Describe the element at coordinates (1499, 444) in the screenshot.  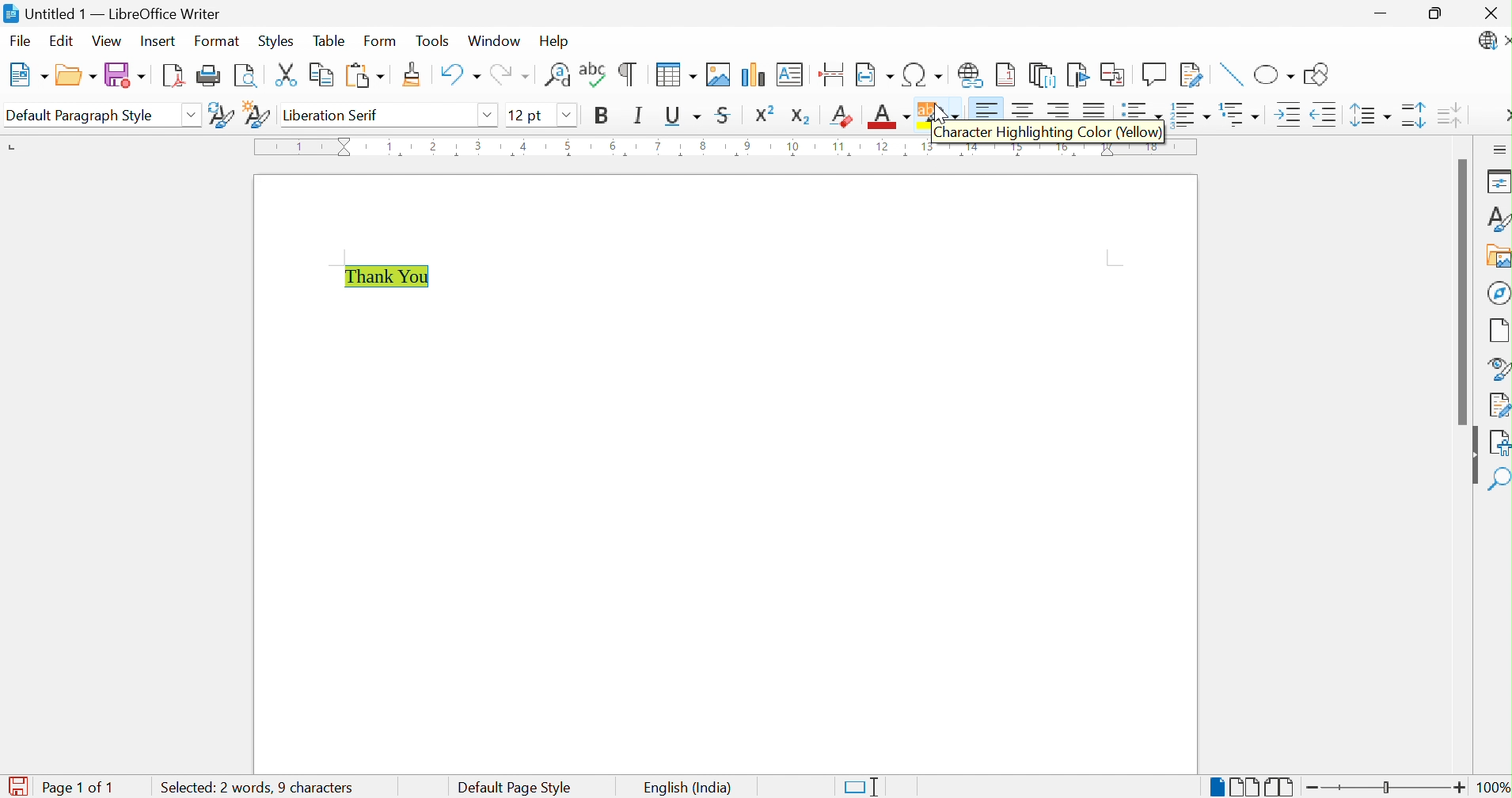
I see `Accessibility Check` at that location.